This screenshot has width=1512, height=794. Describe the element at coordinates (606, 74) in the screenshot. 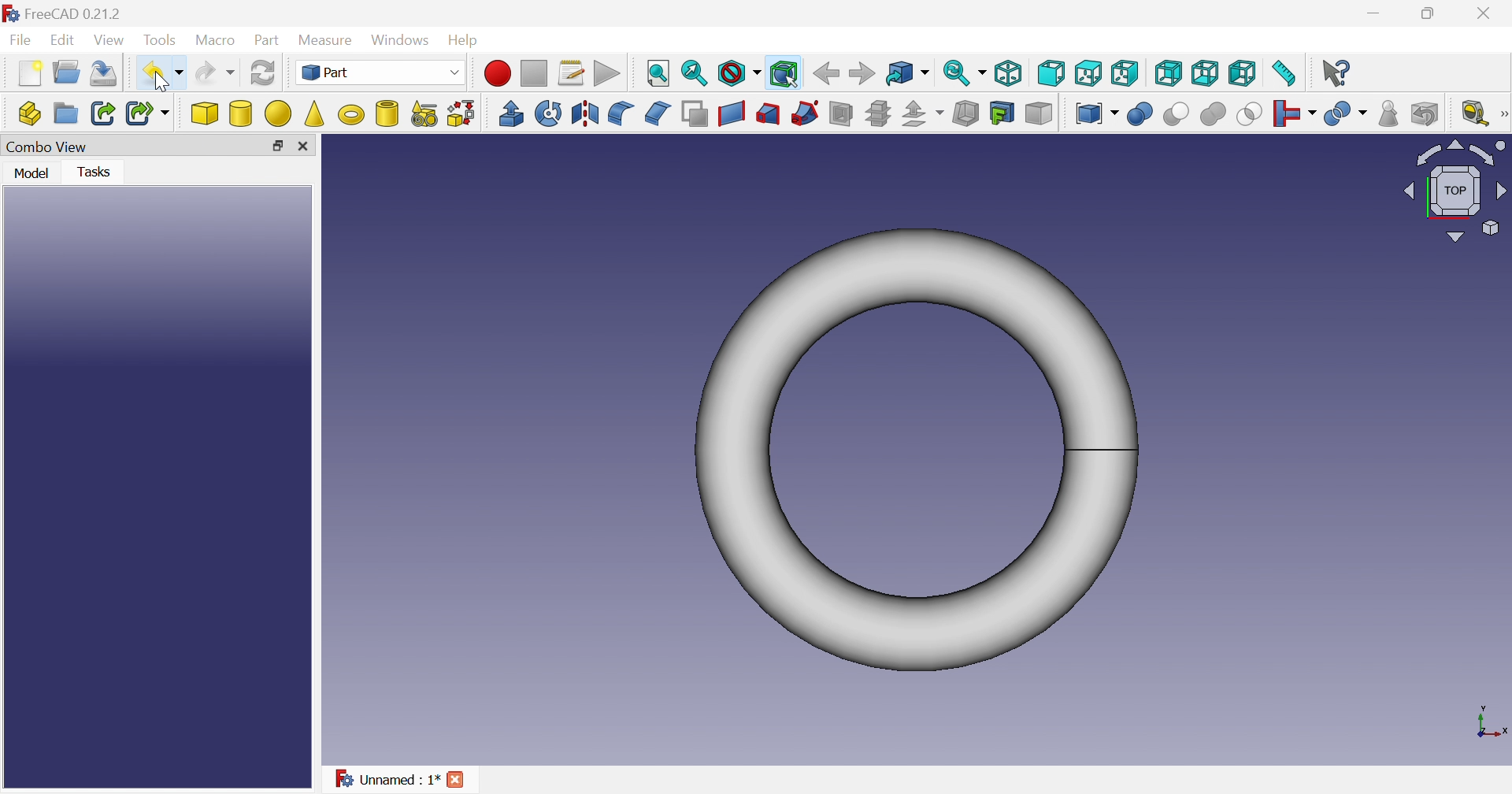

I see `Execute macro` at that location.